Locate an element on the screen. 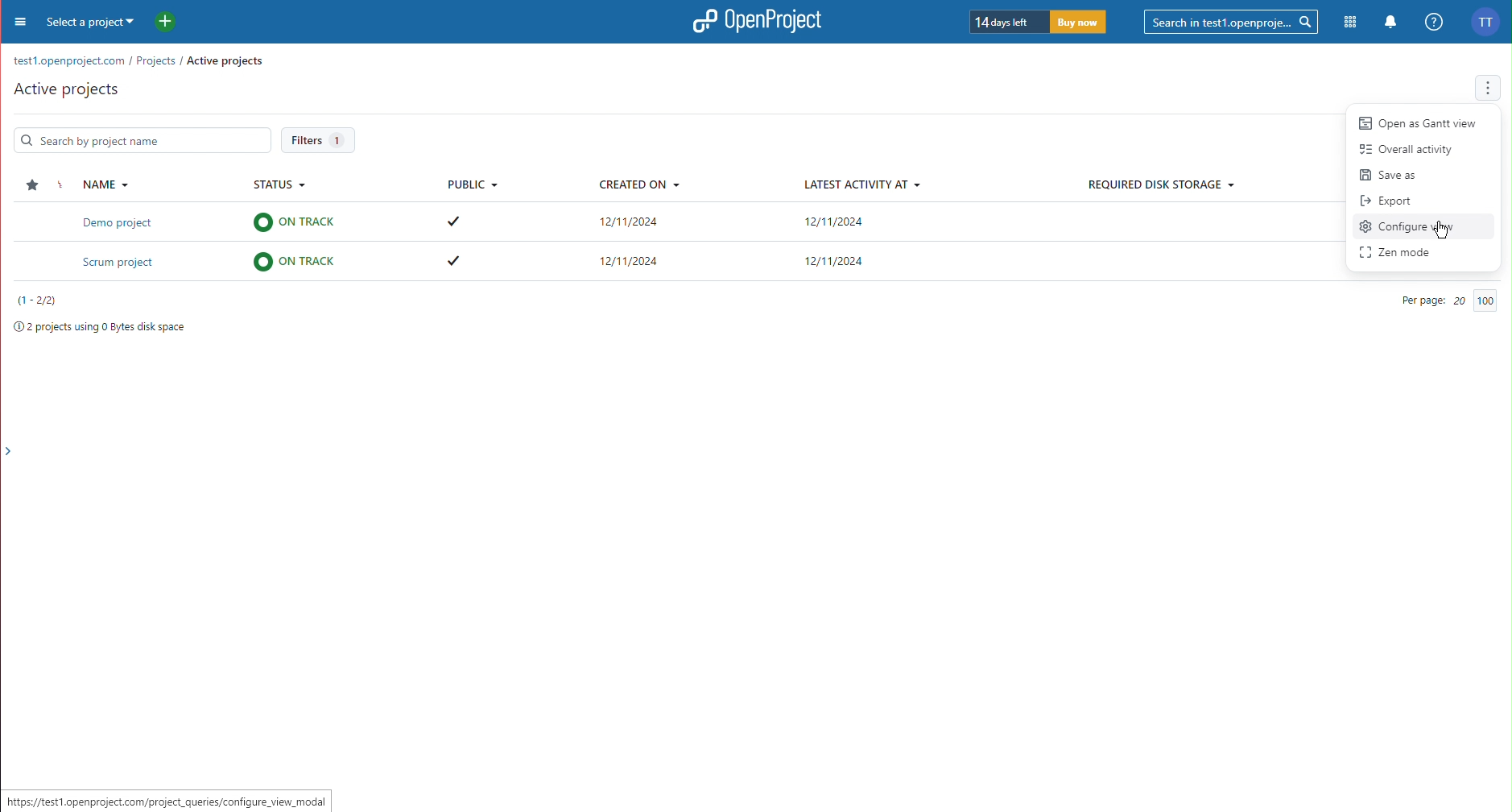  Filters is located at coordinates (318, 138).